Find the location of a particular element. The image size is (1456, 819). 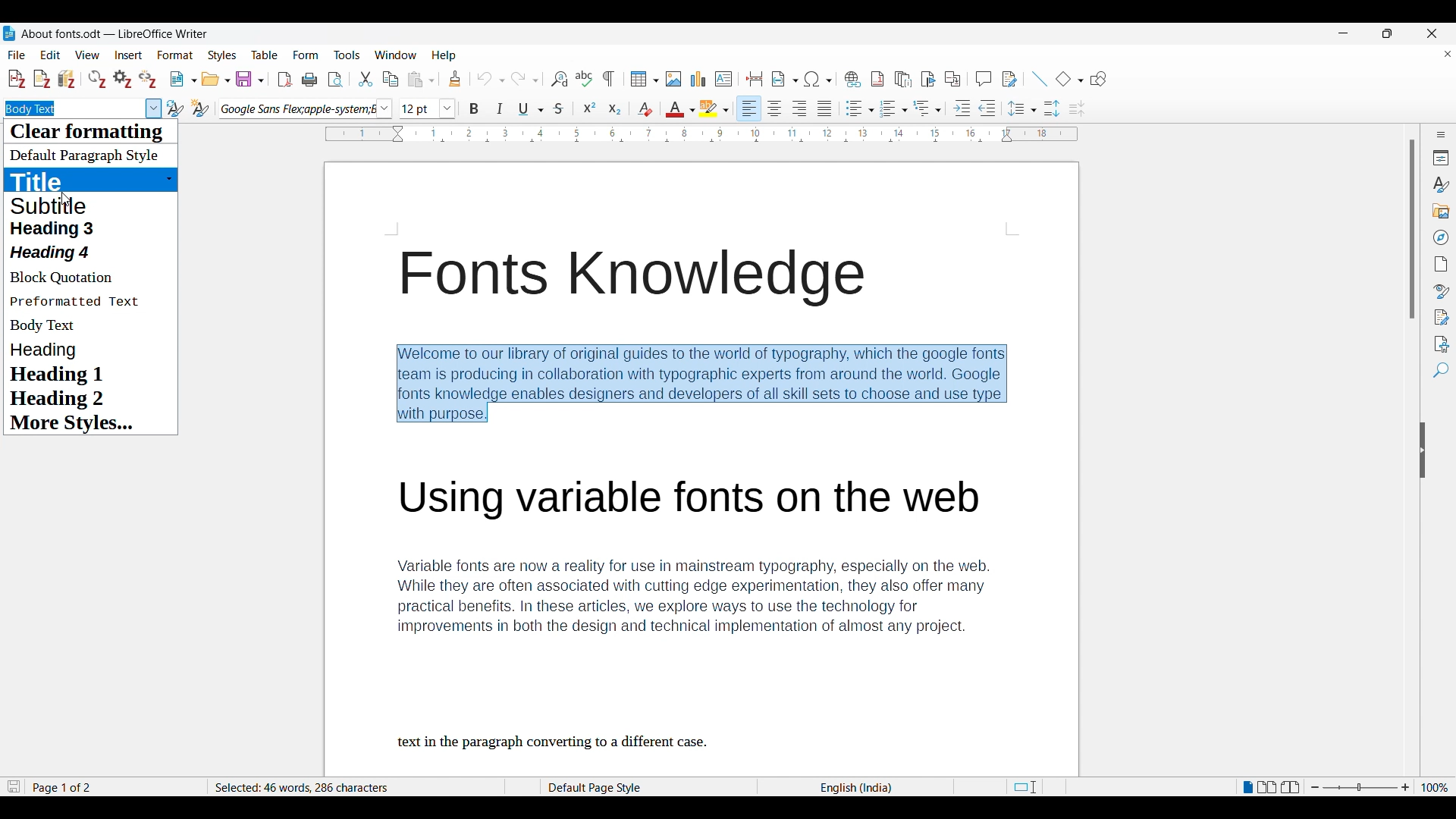

Table menu is located at coordinates (265, 55).